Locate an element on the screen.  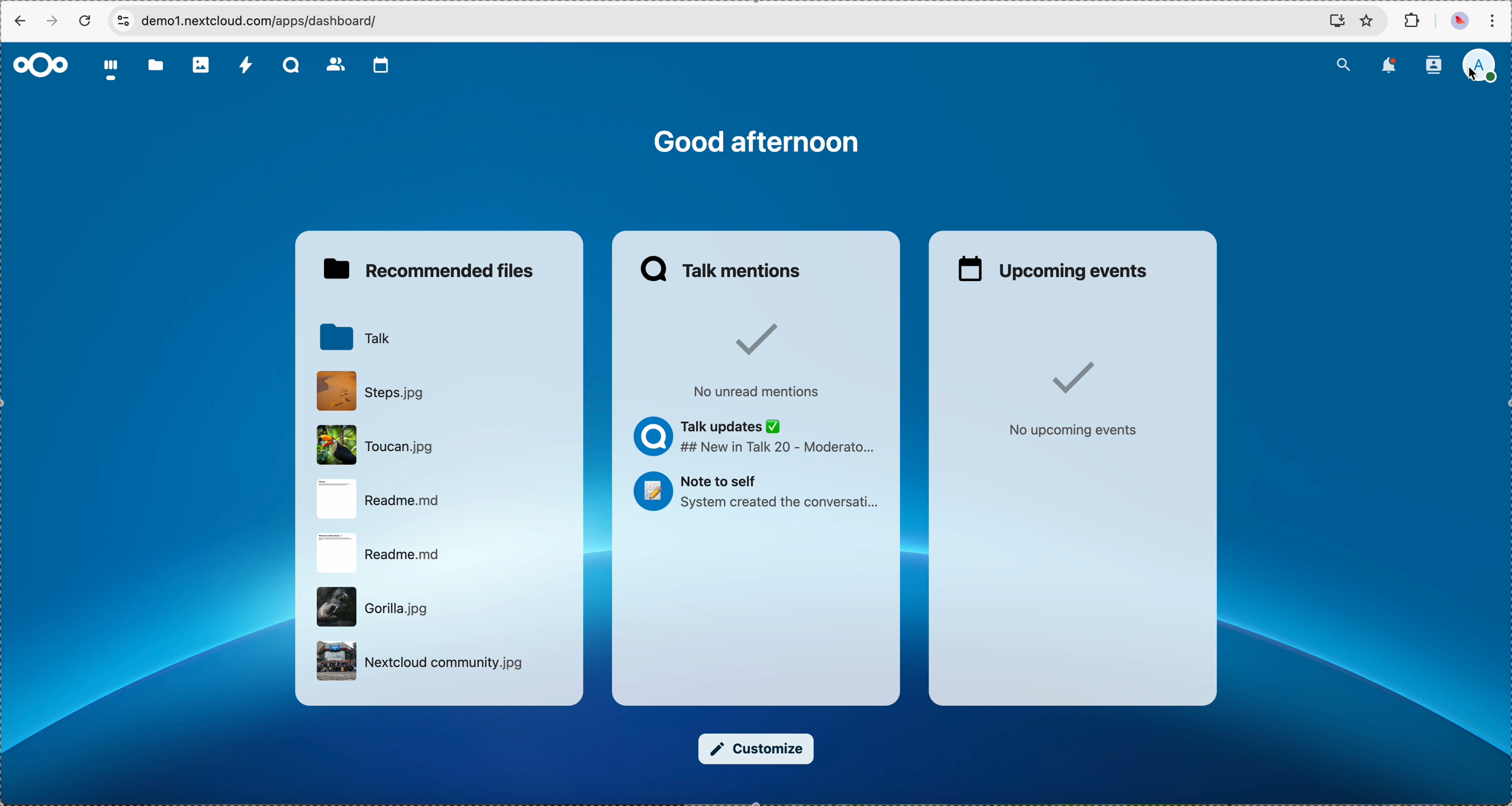
dashboard is located at coordinates (112, 72).